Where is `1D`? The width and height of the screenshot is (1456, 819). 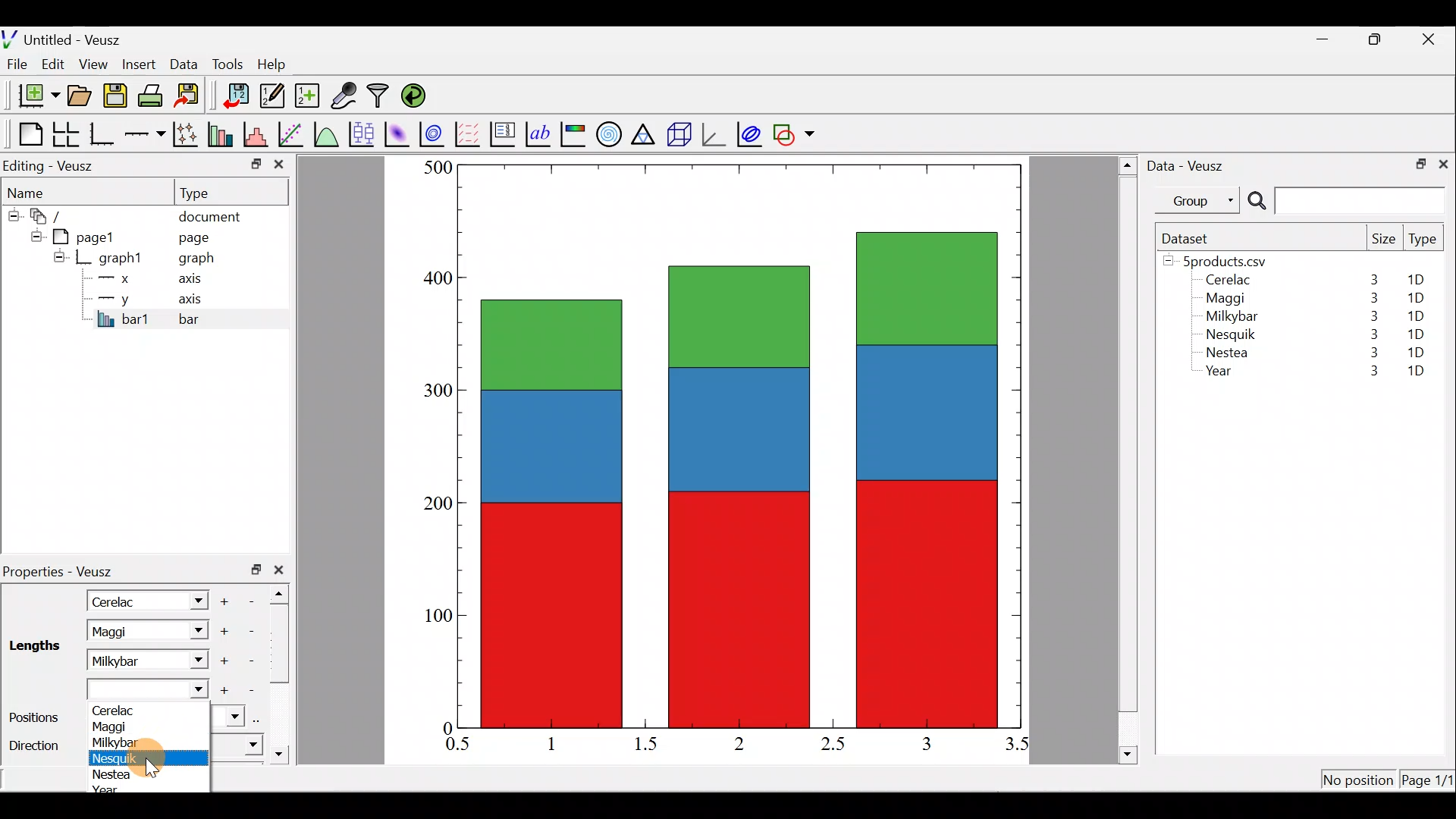
1D is located at coordinates (1416, 352).